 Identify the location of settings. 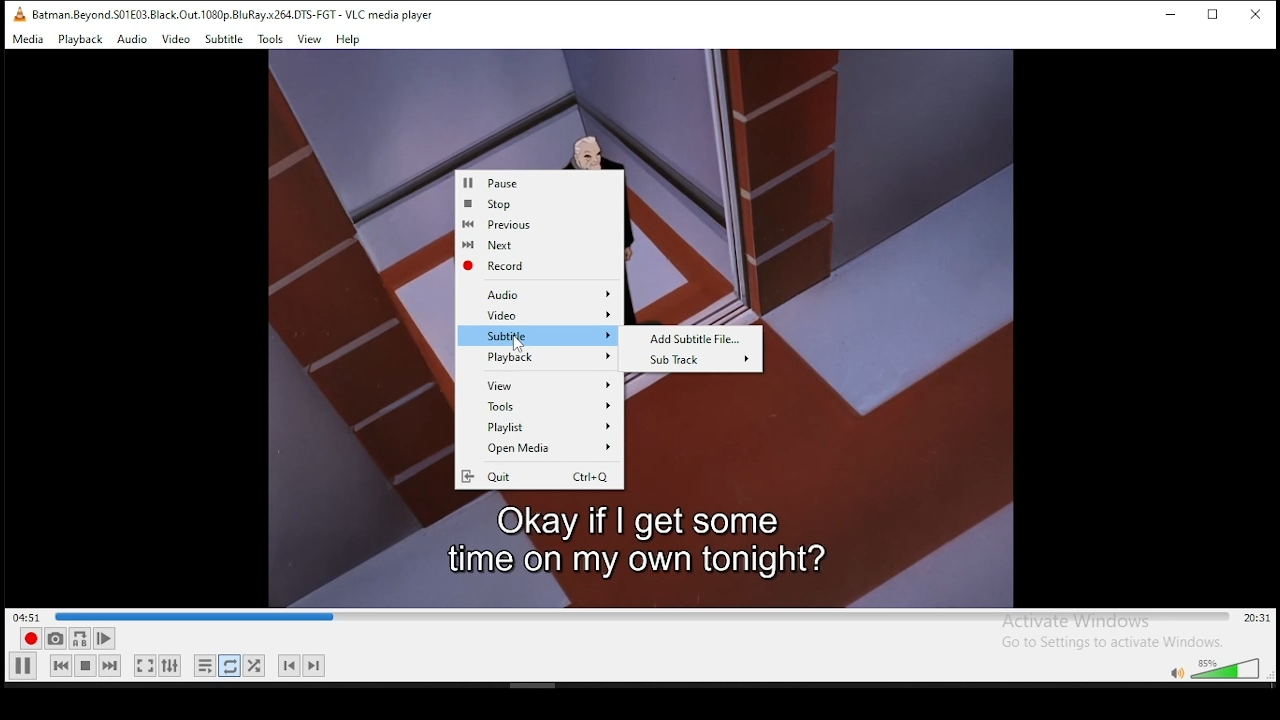
(175, 665).